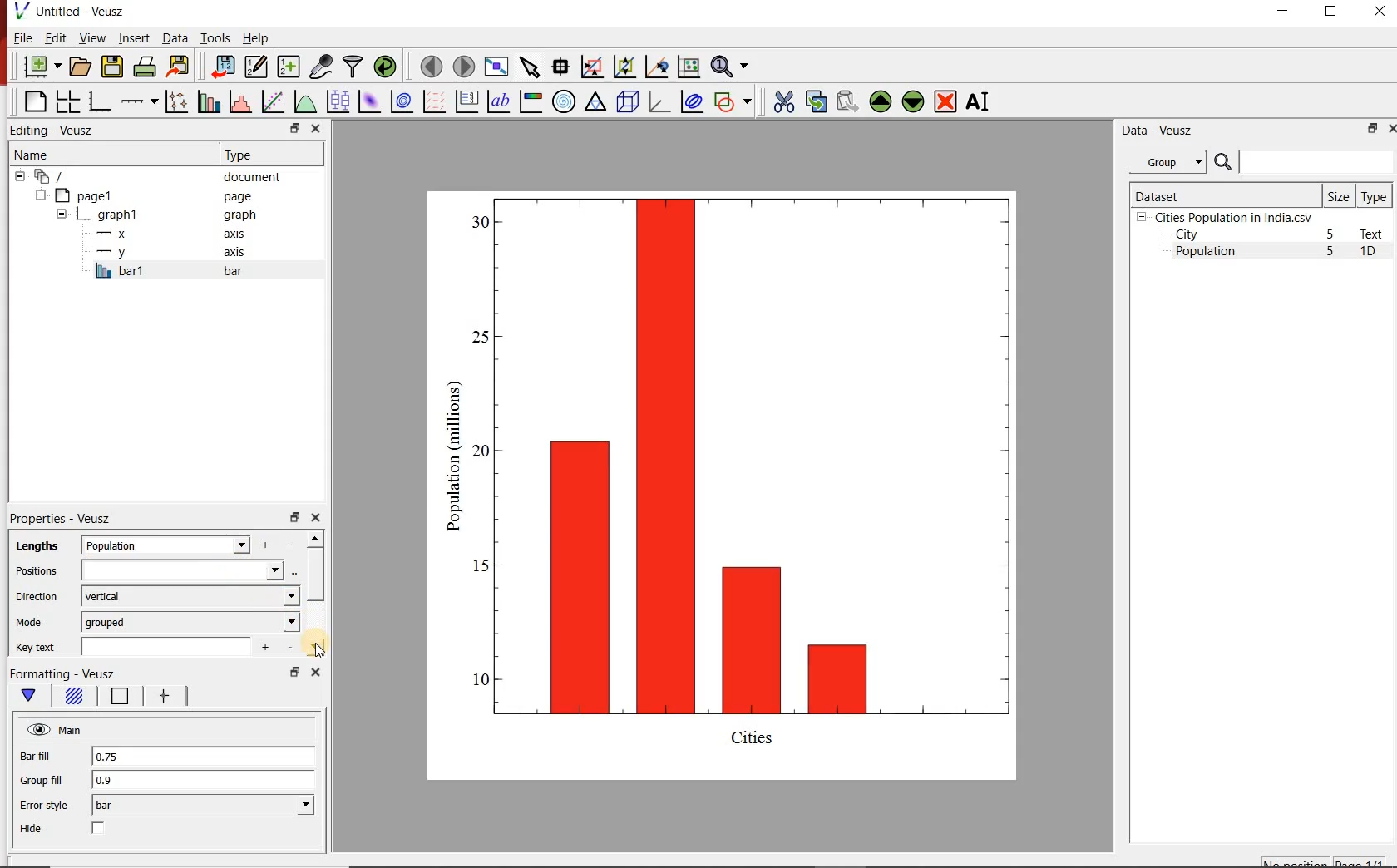  I want to click on plot a 2d dataset as an image, so click(368, 100).